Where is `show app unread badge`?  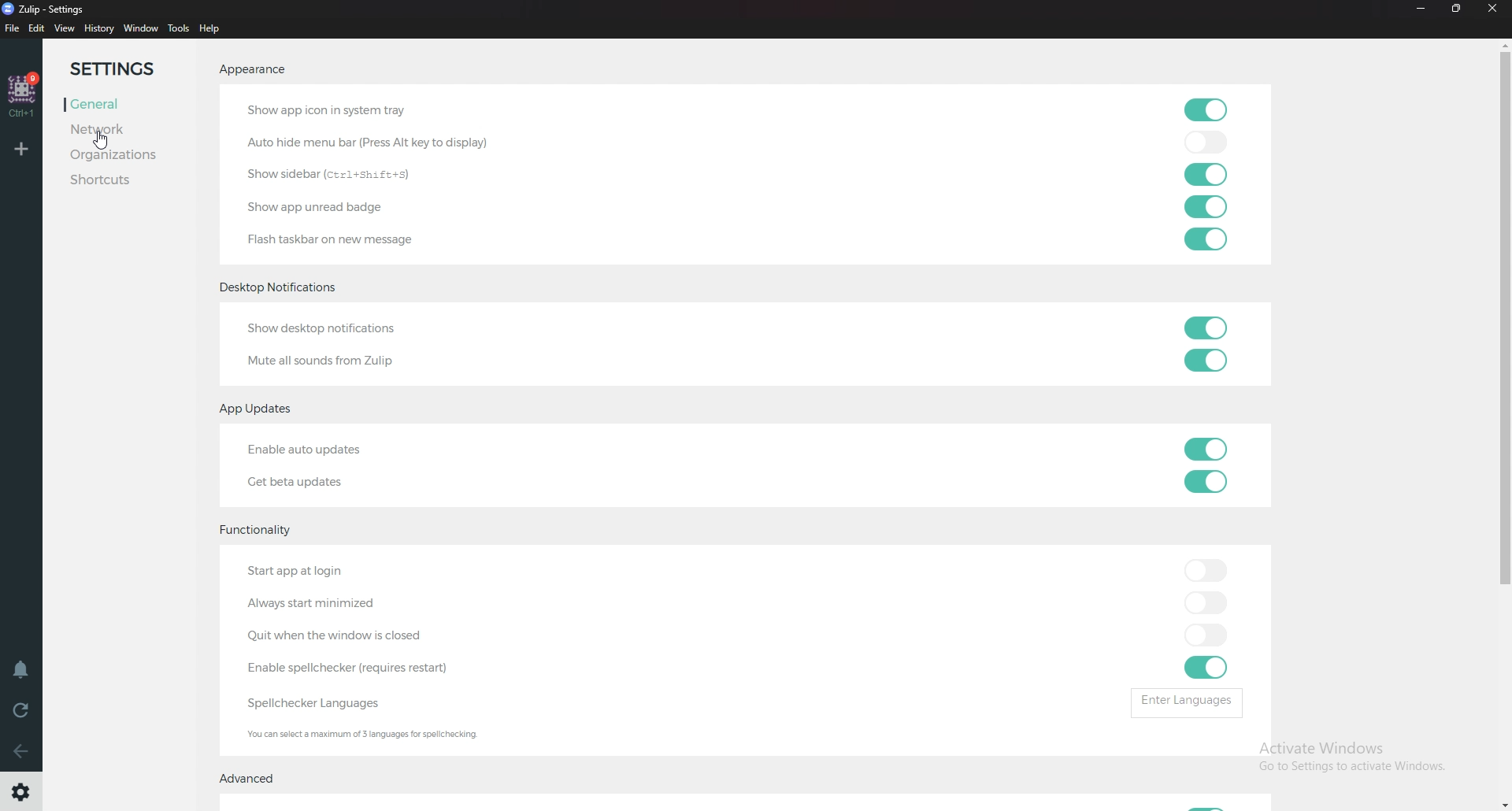 show app unread badge is located at coordinates (317, 208).